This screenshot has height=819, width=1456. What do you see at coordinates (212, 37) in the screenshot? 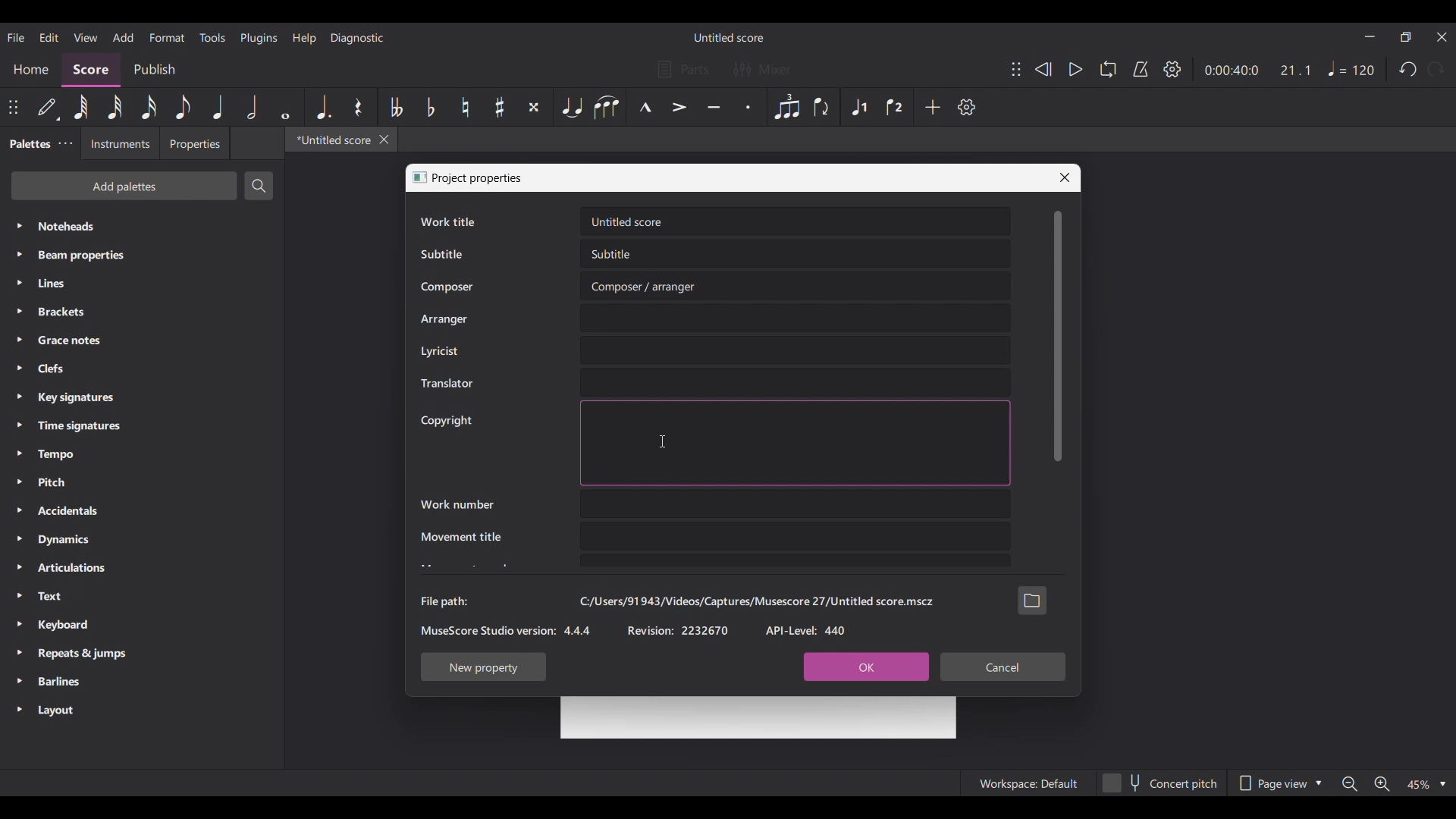
I see `Tools menu` at bounding box center [212, 37].